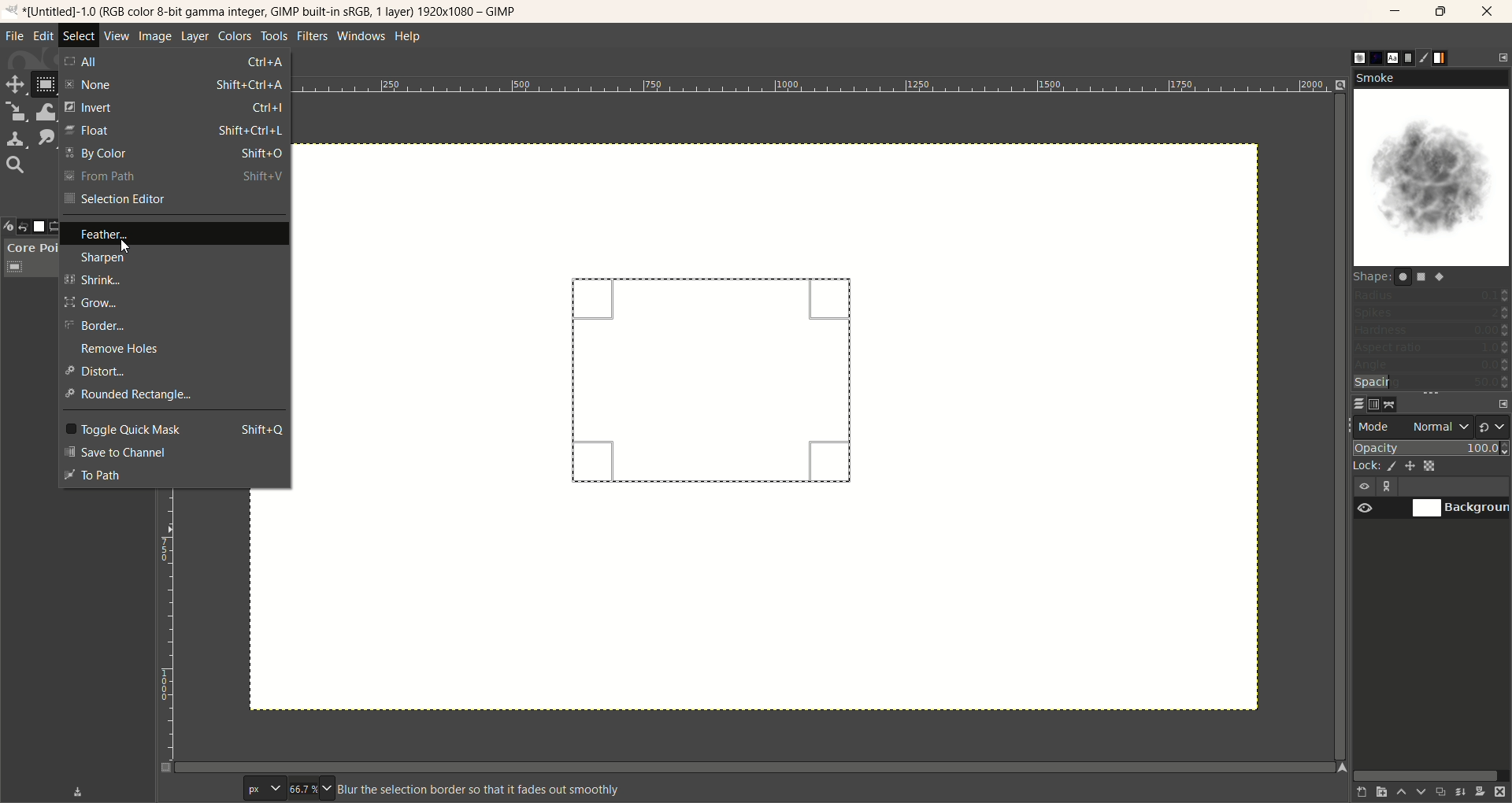 This screenshot has width=1512, height=803. Describe the element at coordinates (1430, 447) in the screenshot. I see `opacity` at that location.